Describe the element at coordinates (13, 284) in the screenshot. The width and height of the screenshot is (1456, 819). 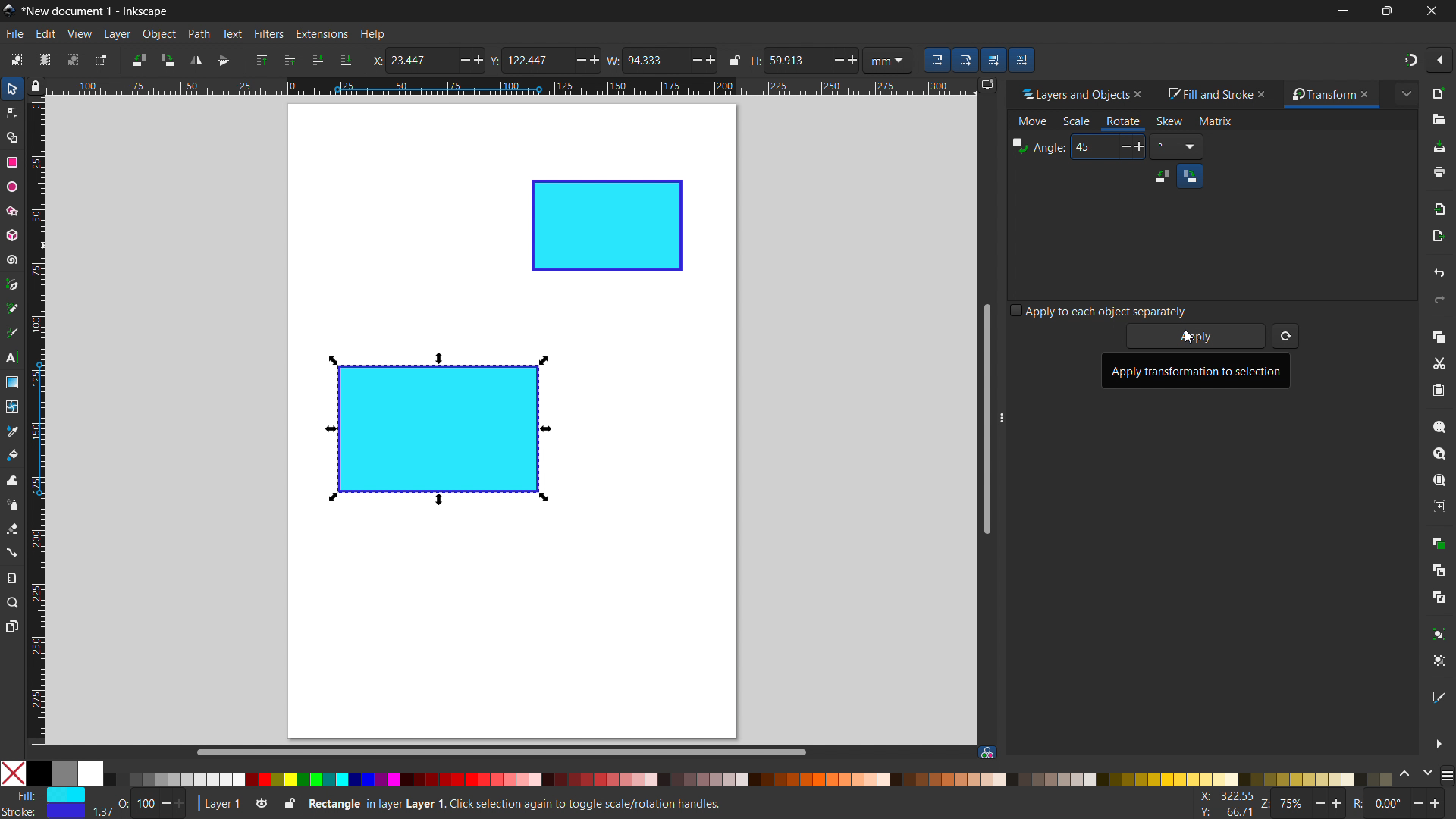
I see `pen tool` at that location.